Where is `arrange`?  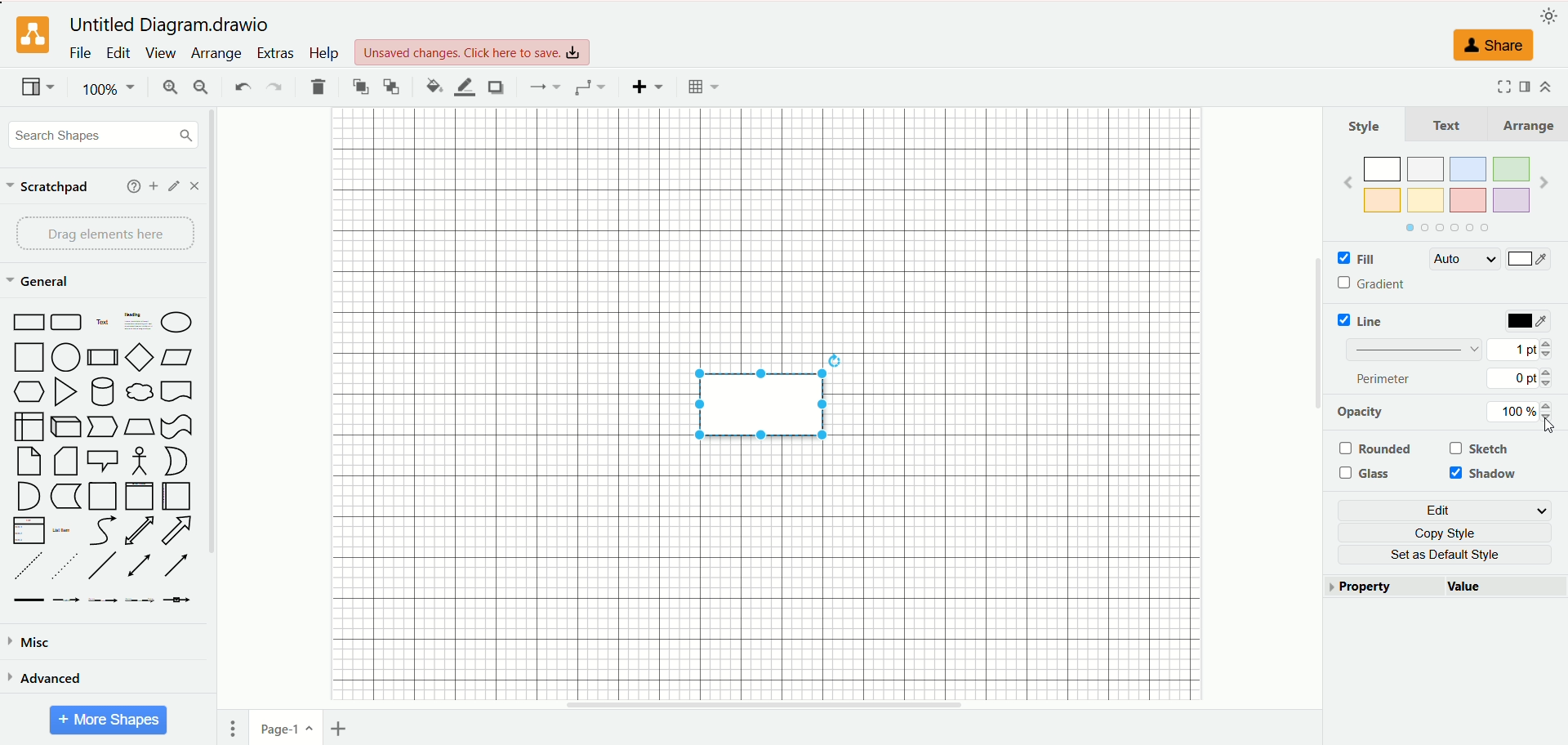 arrange is located at coordinates (1526, 125).